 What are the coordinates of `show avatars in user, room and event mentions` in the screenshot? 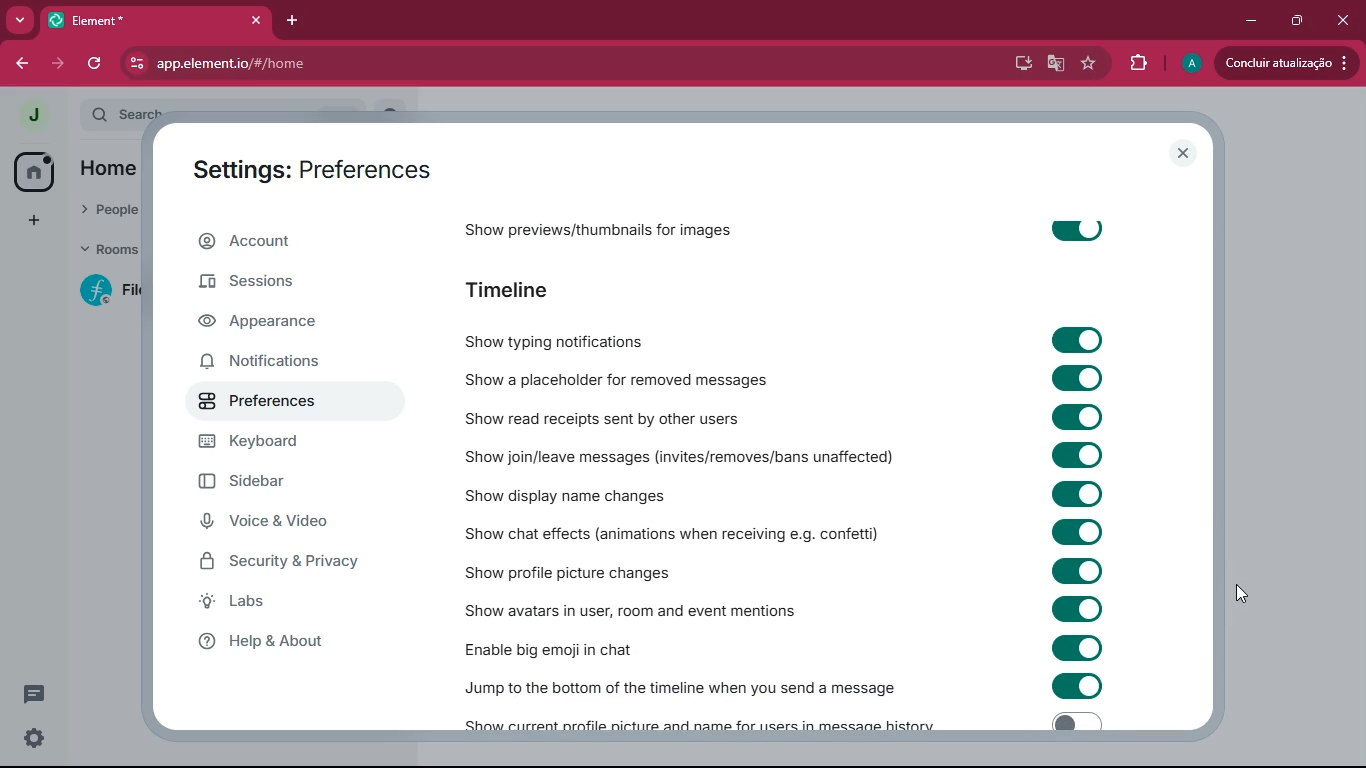 It's located at (638, 608).